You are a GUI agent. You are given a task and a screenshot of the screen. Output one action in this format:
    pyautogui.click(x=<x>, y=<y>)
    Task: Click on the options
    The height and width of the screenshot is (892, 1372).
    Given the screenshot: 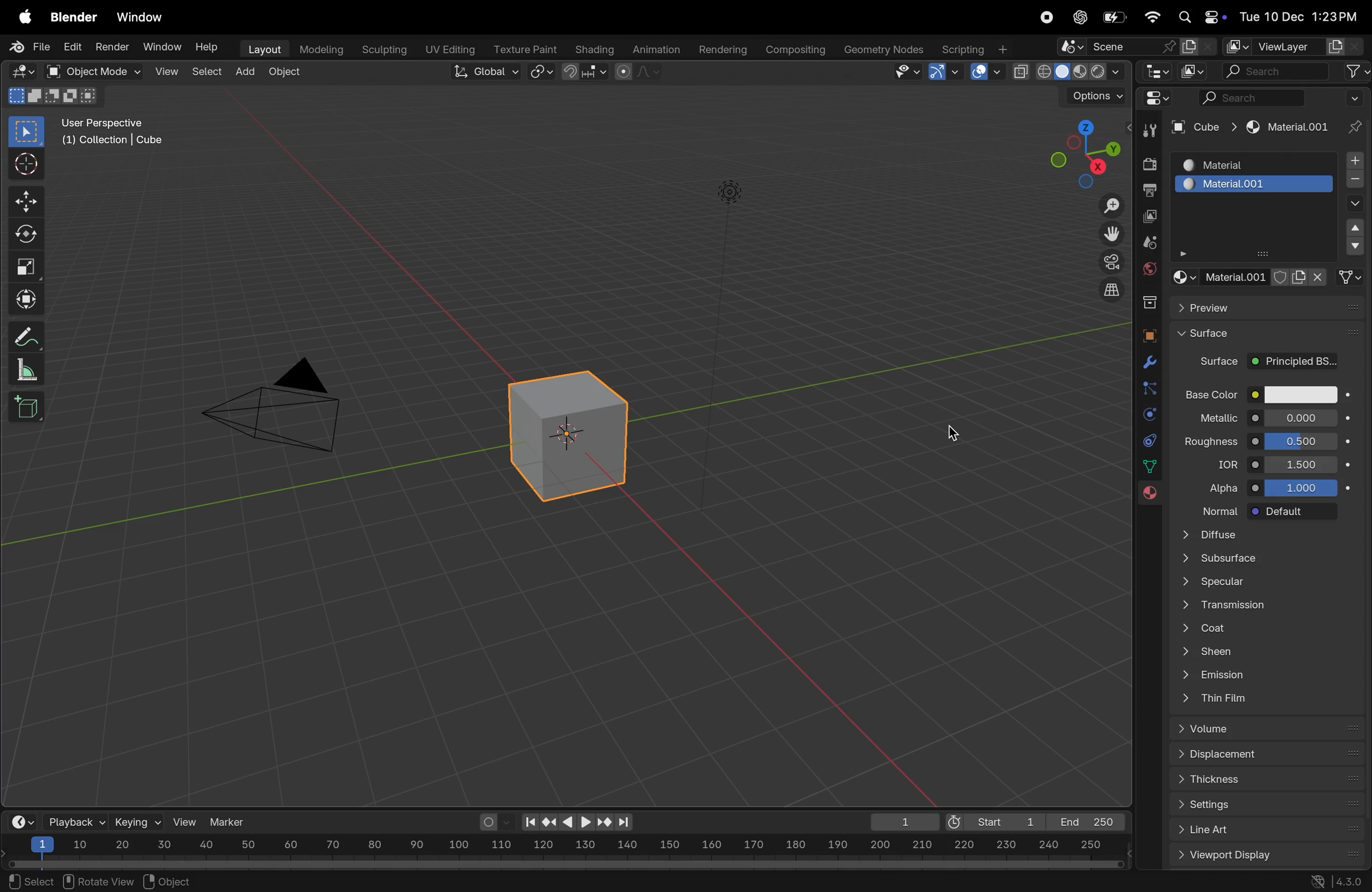 What is the action you would take?
    pyautogui.click(x=1088, y=96)
    